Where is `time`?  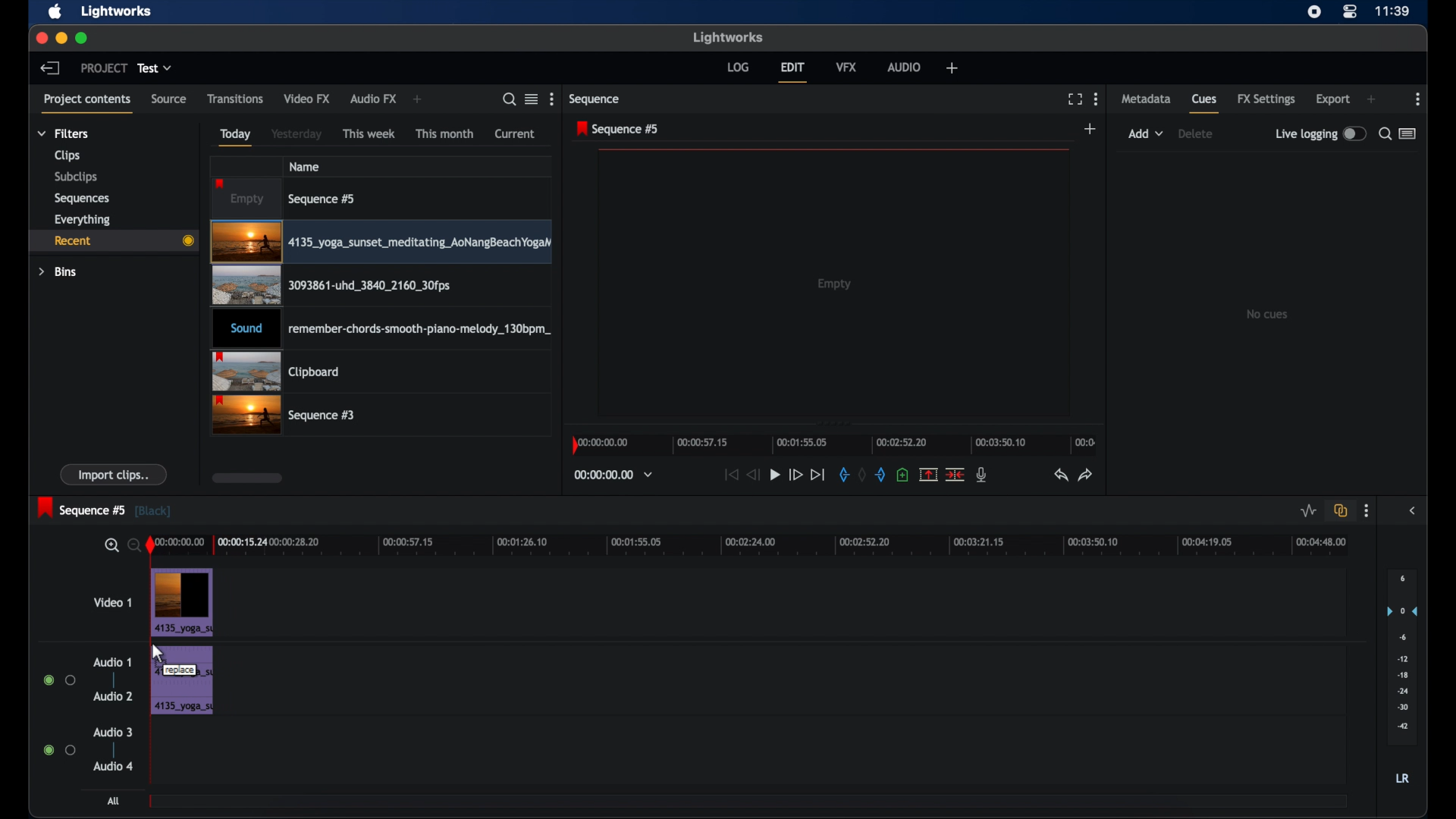
time is located at coordinates (1392, 11).